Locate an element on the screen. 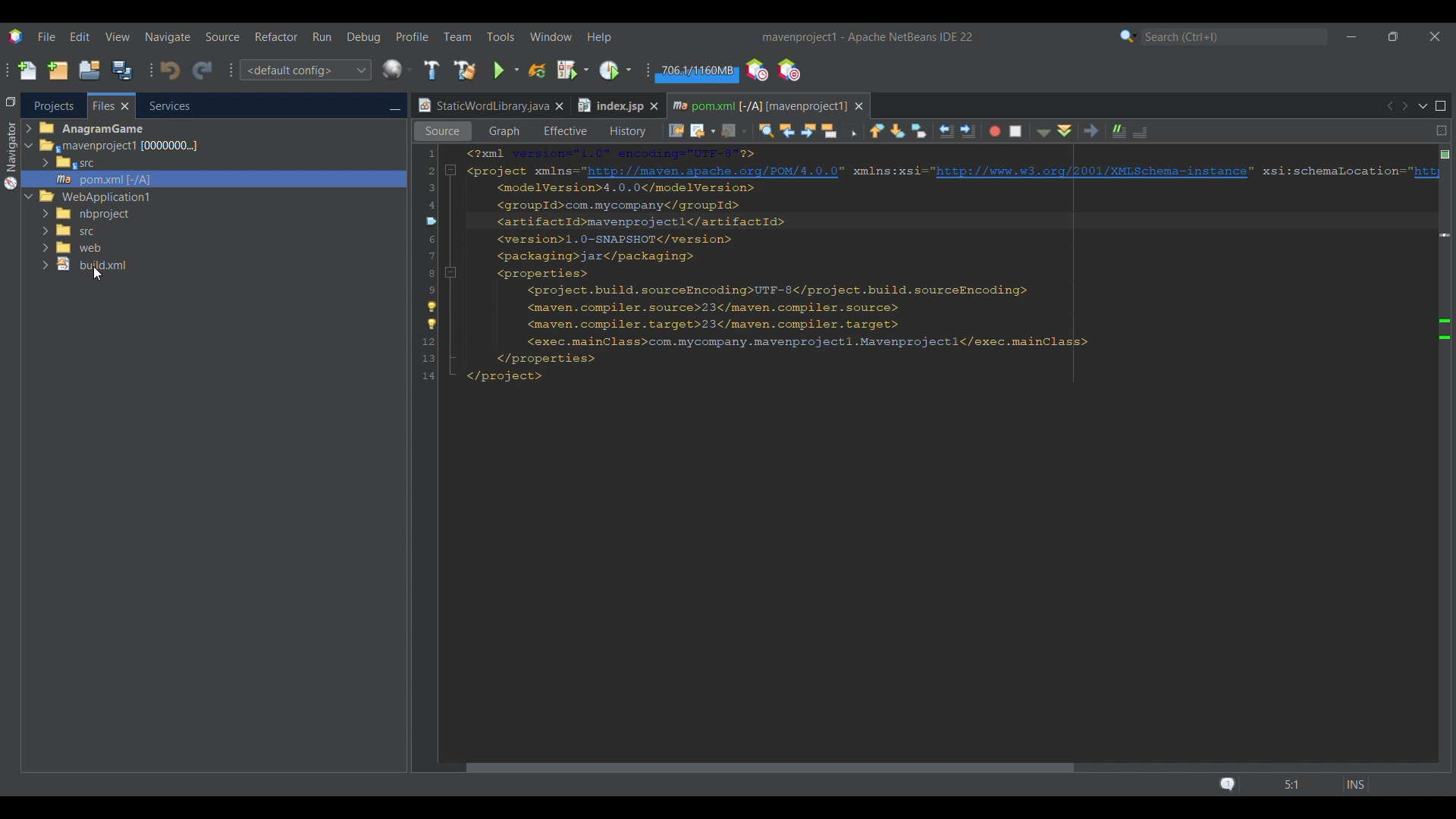  Stop macro recording is located at coordinates (1019, 130).